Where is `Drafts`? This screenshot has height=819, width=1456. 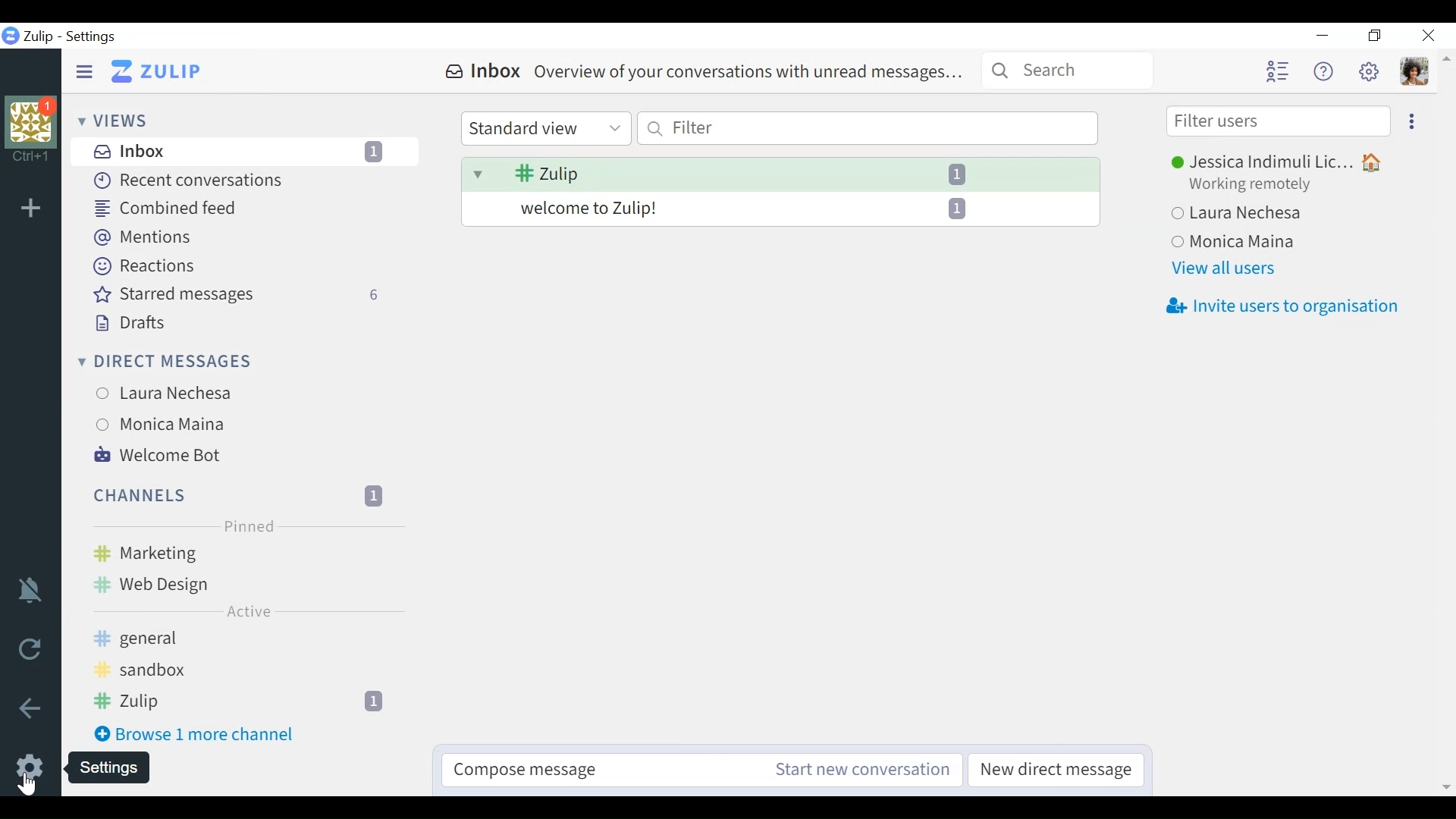 Drafts is located at coordinates (138, 323).